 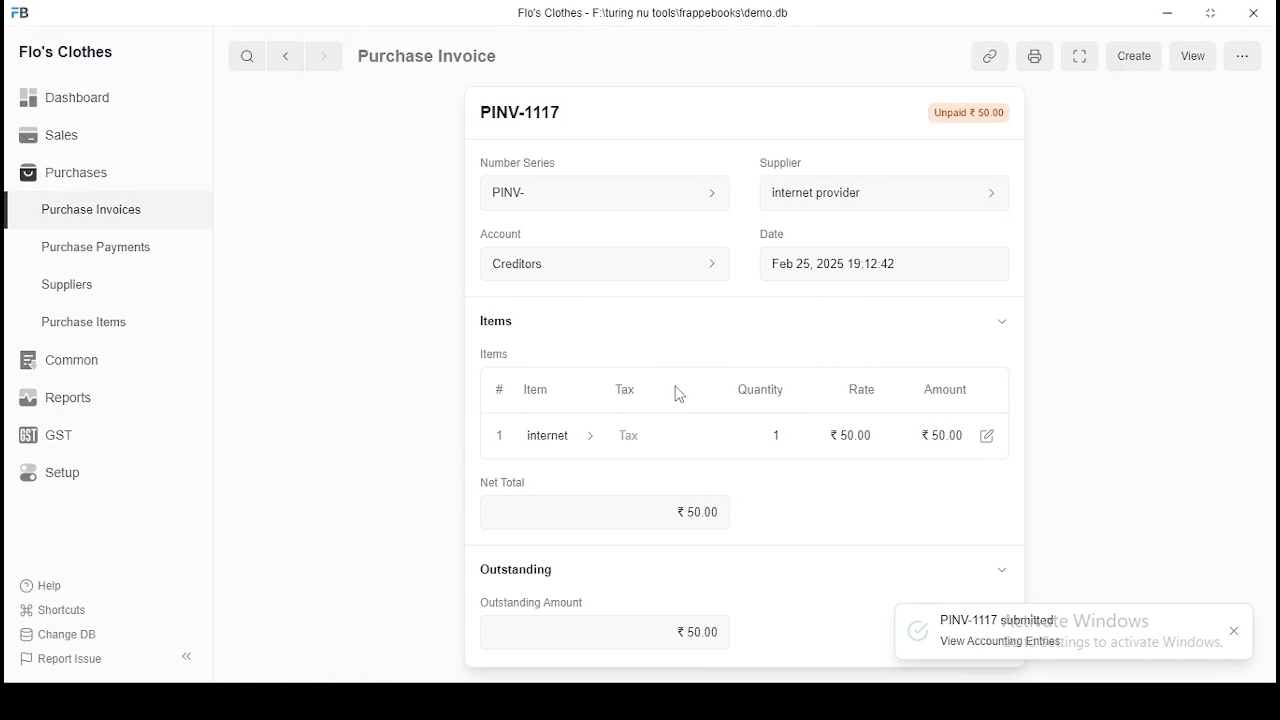 What do you see at coordinates (185, 655) in the screenshot?
I see `close pane` at bounding box center [185, 655].